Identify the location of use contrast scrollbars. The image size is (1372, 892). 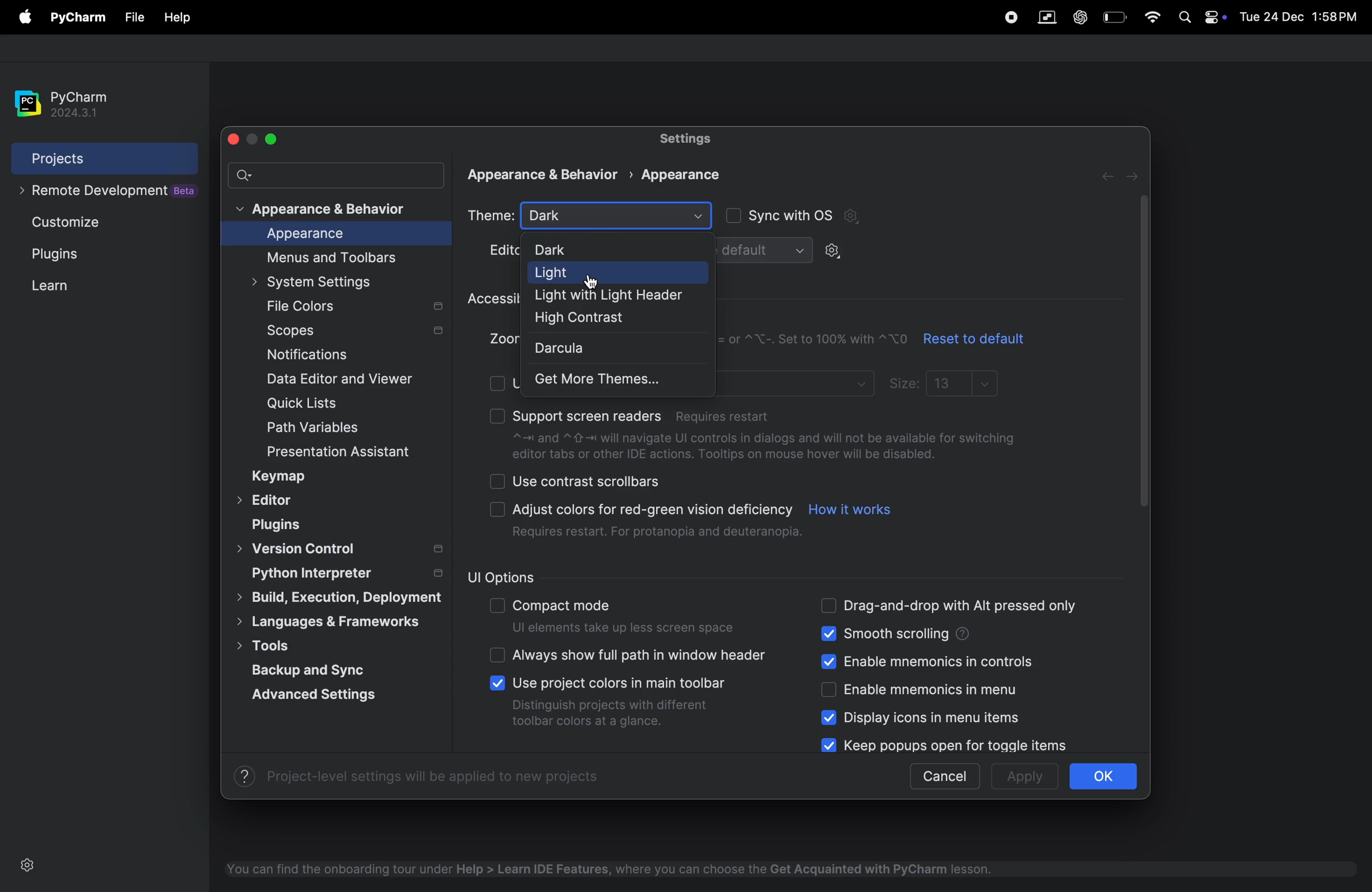
(594, 482).